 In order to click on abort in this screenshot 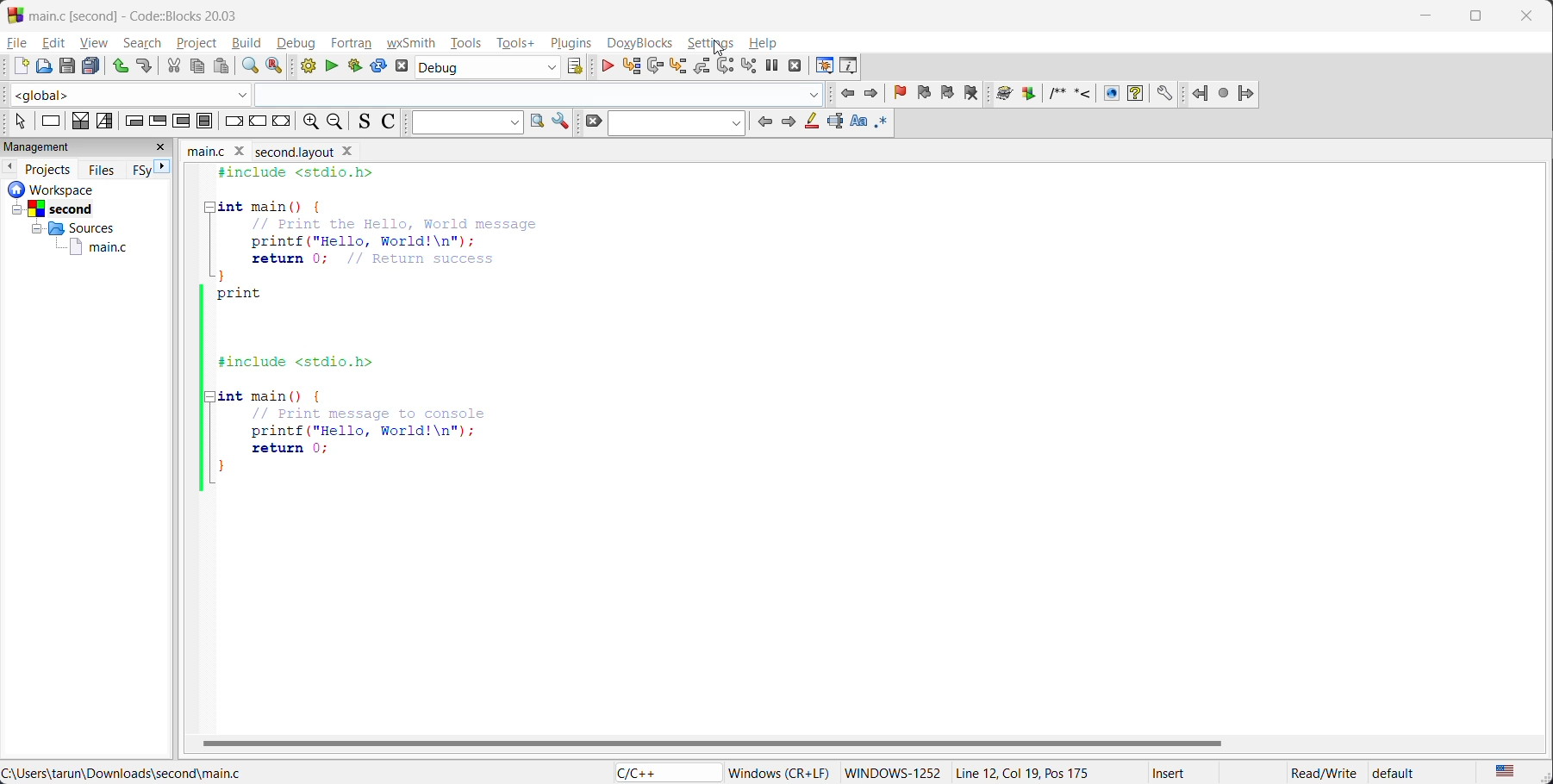, I will do `click(405, 66)`.